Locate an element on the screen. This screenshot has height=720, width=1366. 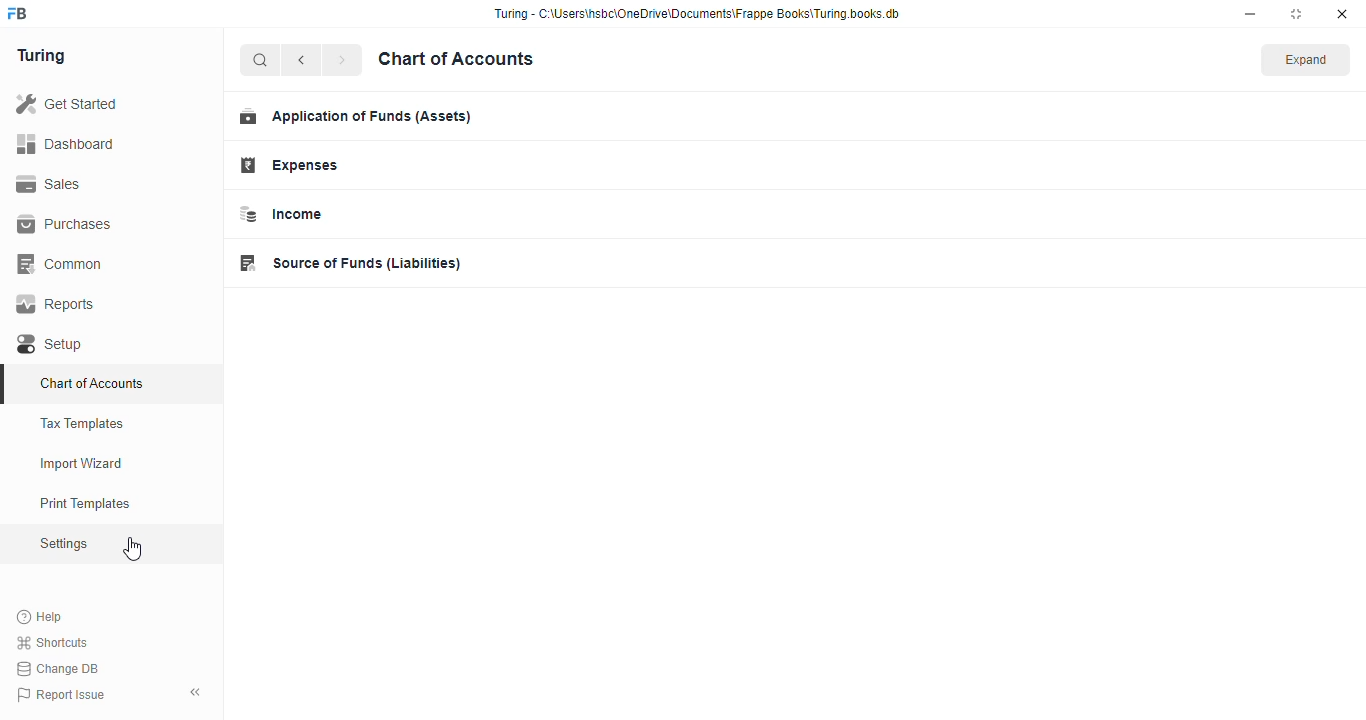
help is located at coordinates (41, 617).